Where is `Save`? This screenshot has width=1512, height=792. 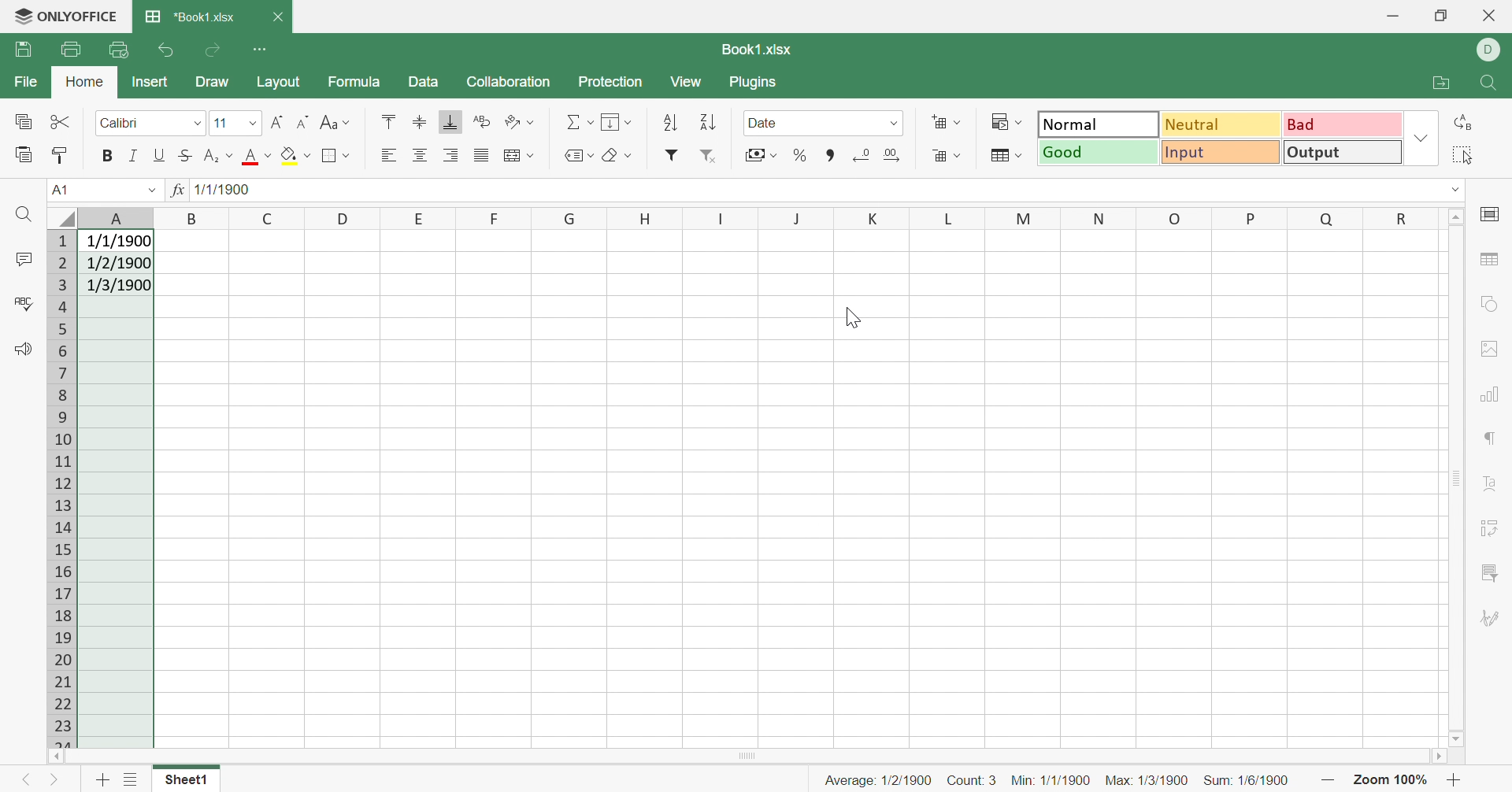 Save is located at coordinates (24, 49).